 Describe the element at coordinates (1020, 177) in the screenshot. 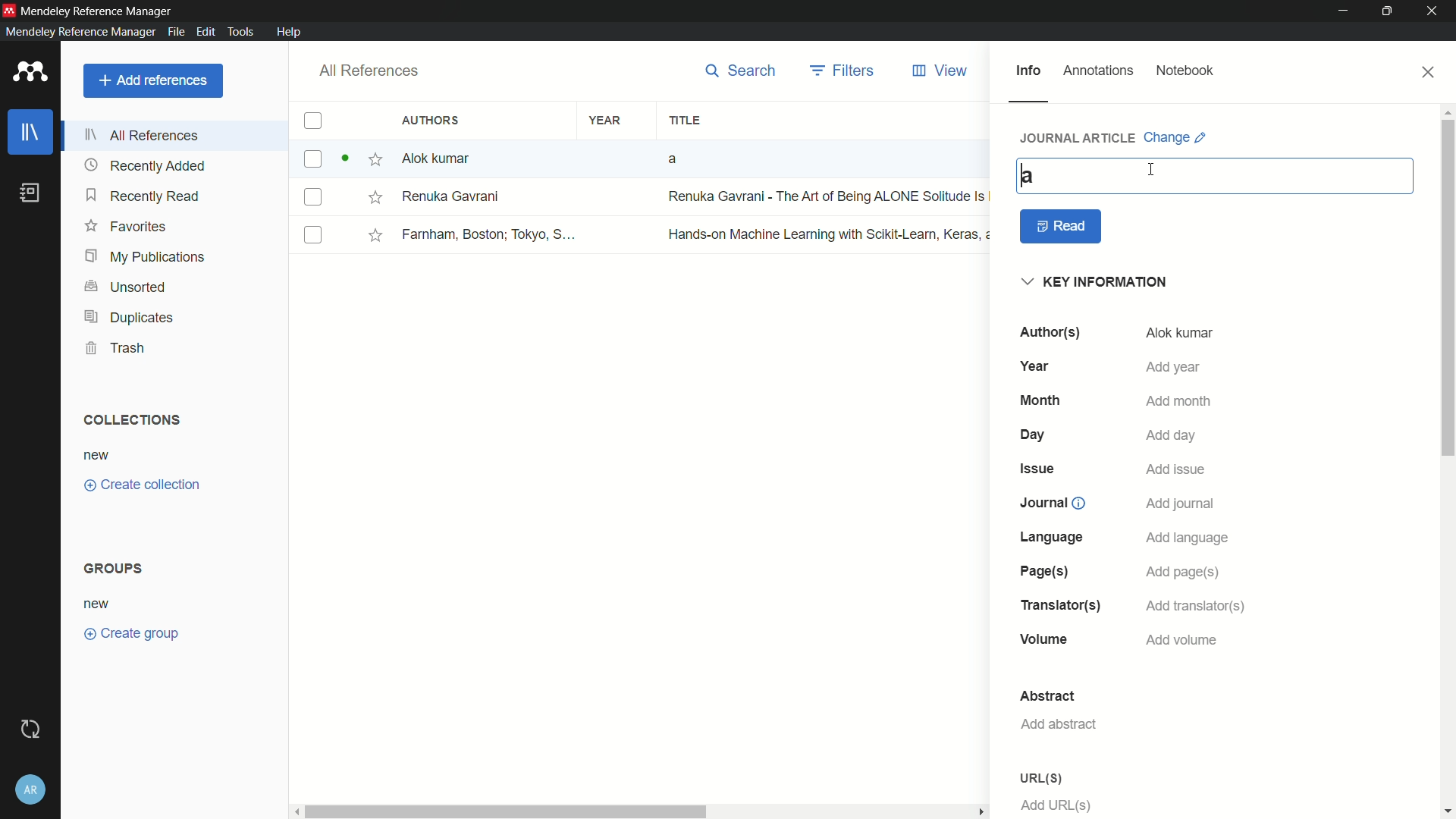

I see `cursor` at that location.